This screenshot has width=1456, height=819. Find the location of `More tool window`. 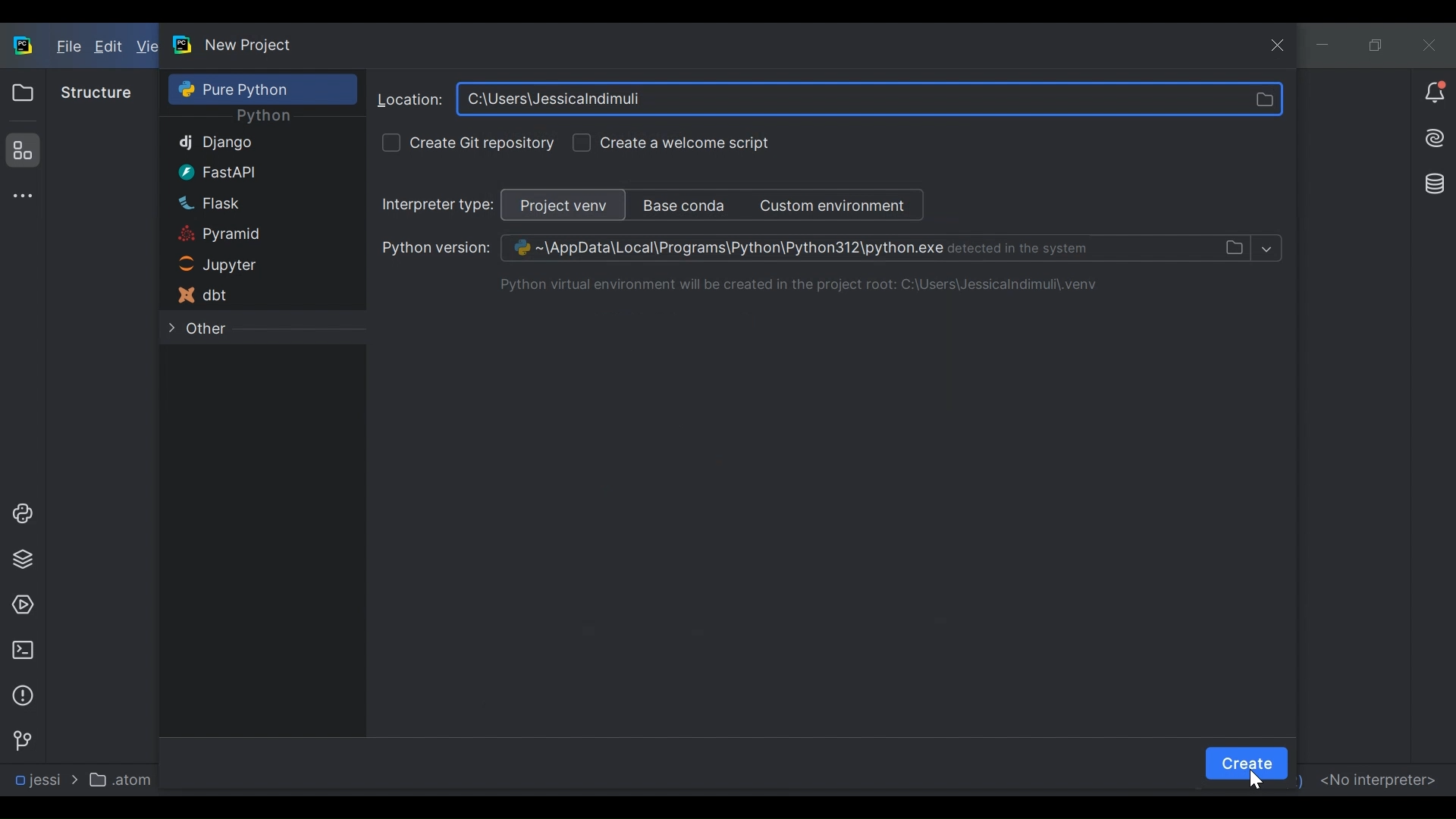

More tool window is located at coordinates (20, 196).